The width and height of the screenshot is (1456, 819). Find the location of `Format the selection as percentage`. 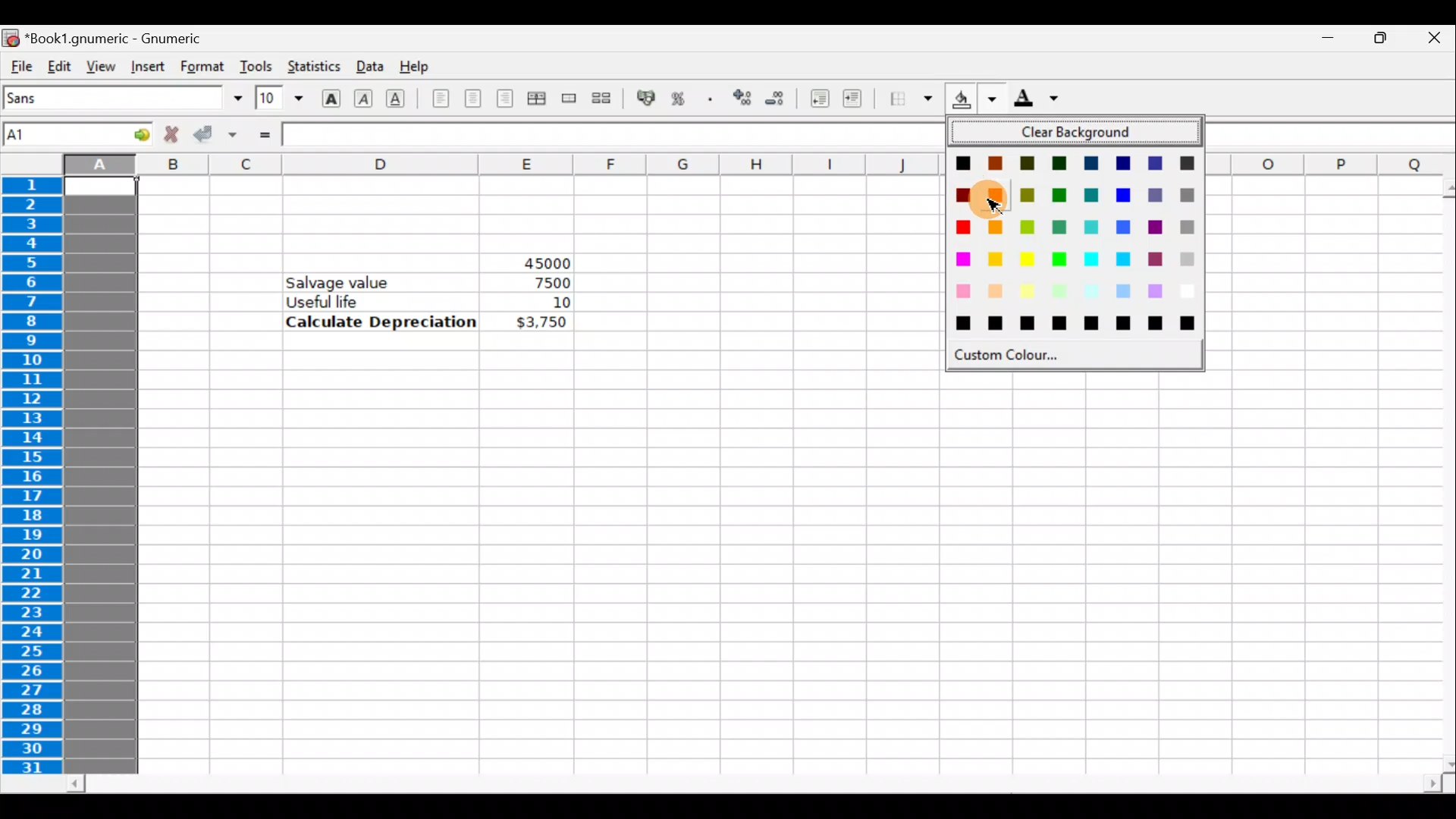

Format the selection as percentage is located at coordinates (681, 101).